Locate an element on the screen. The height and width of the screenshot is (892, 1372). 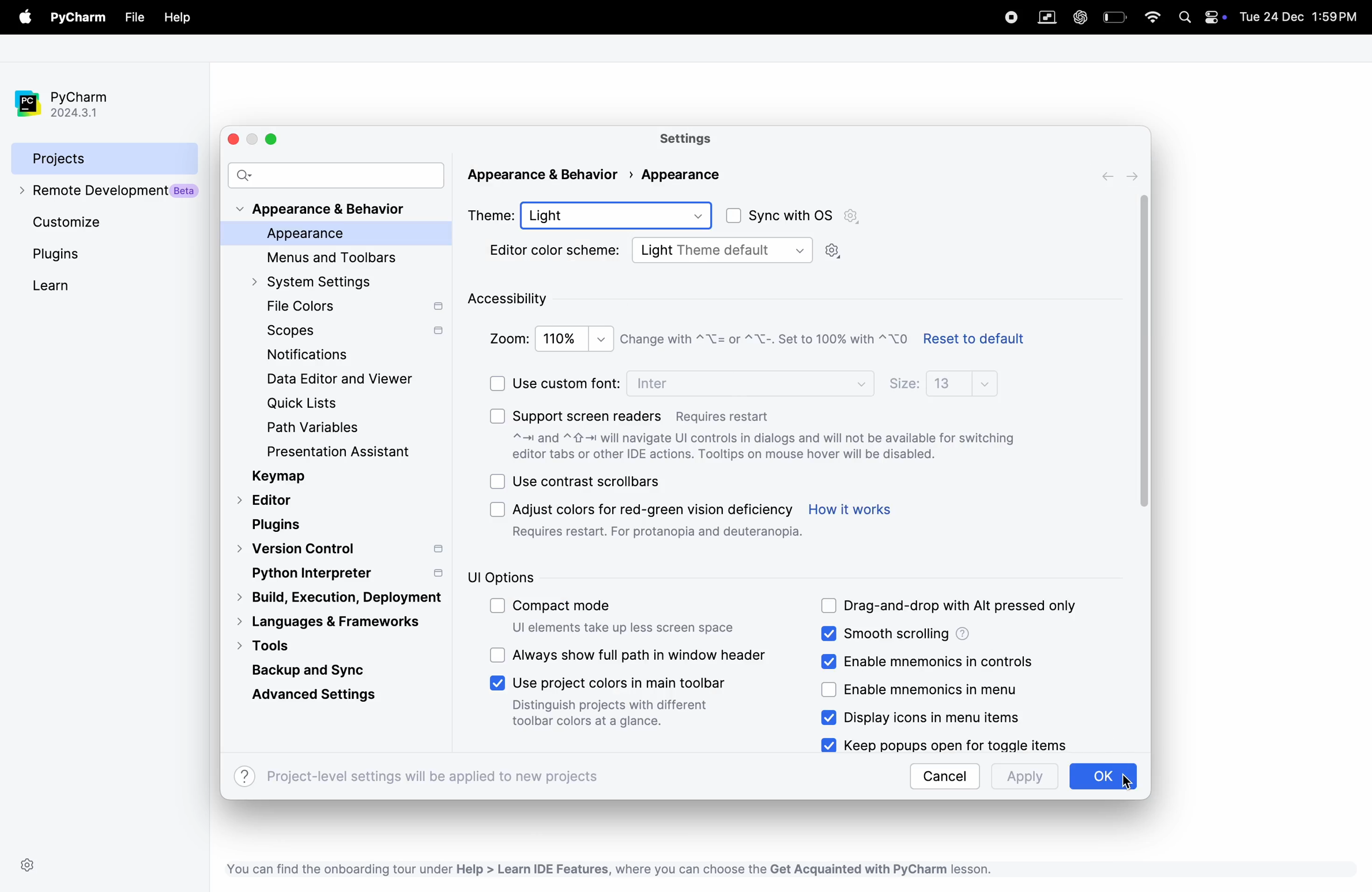
Editor color scheme is located at coordinates (555, 252).